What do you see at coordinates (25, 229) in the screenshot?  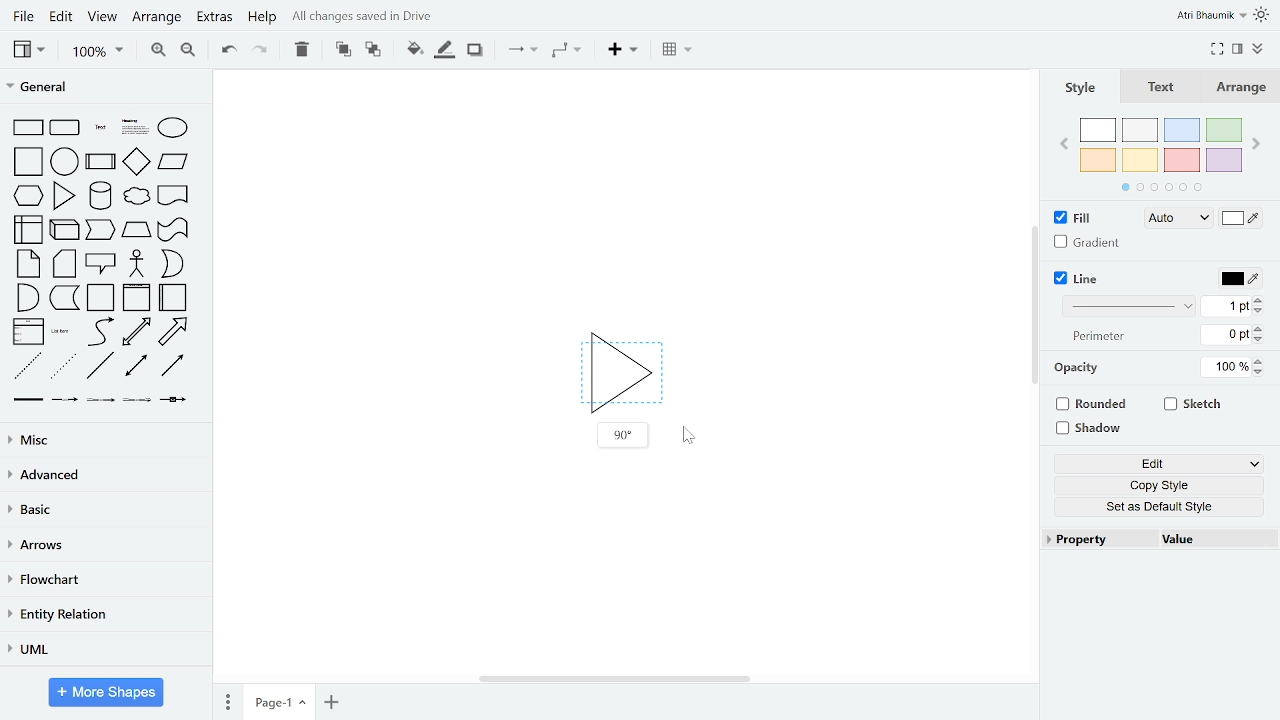 I see `internal storage` at bounding box center [25, 229].